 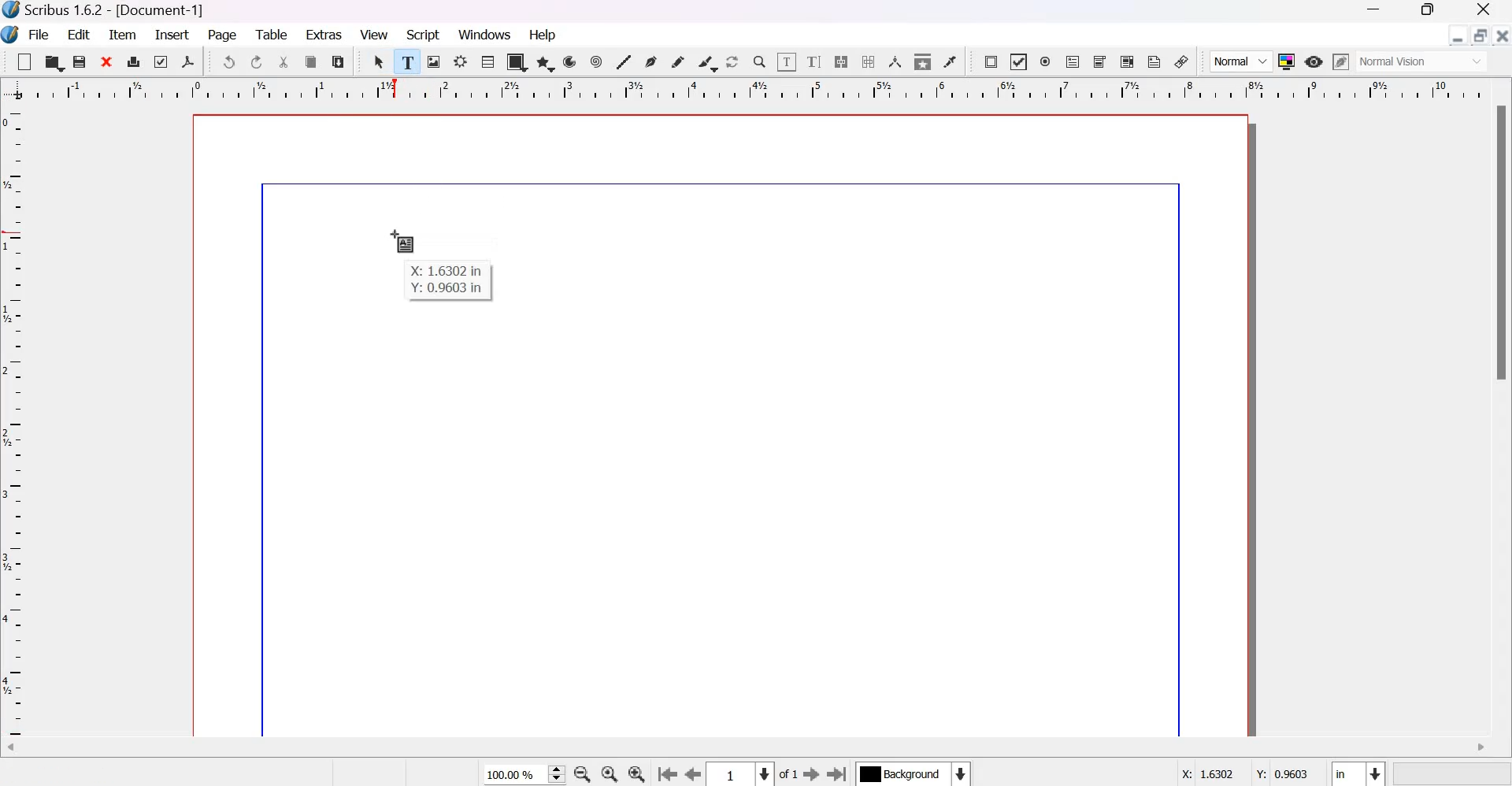 What do you see at coordinates (1280, 771) in the screenshot?
I see `Y: 0.9603` at bounding box center [1280, 771].